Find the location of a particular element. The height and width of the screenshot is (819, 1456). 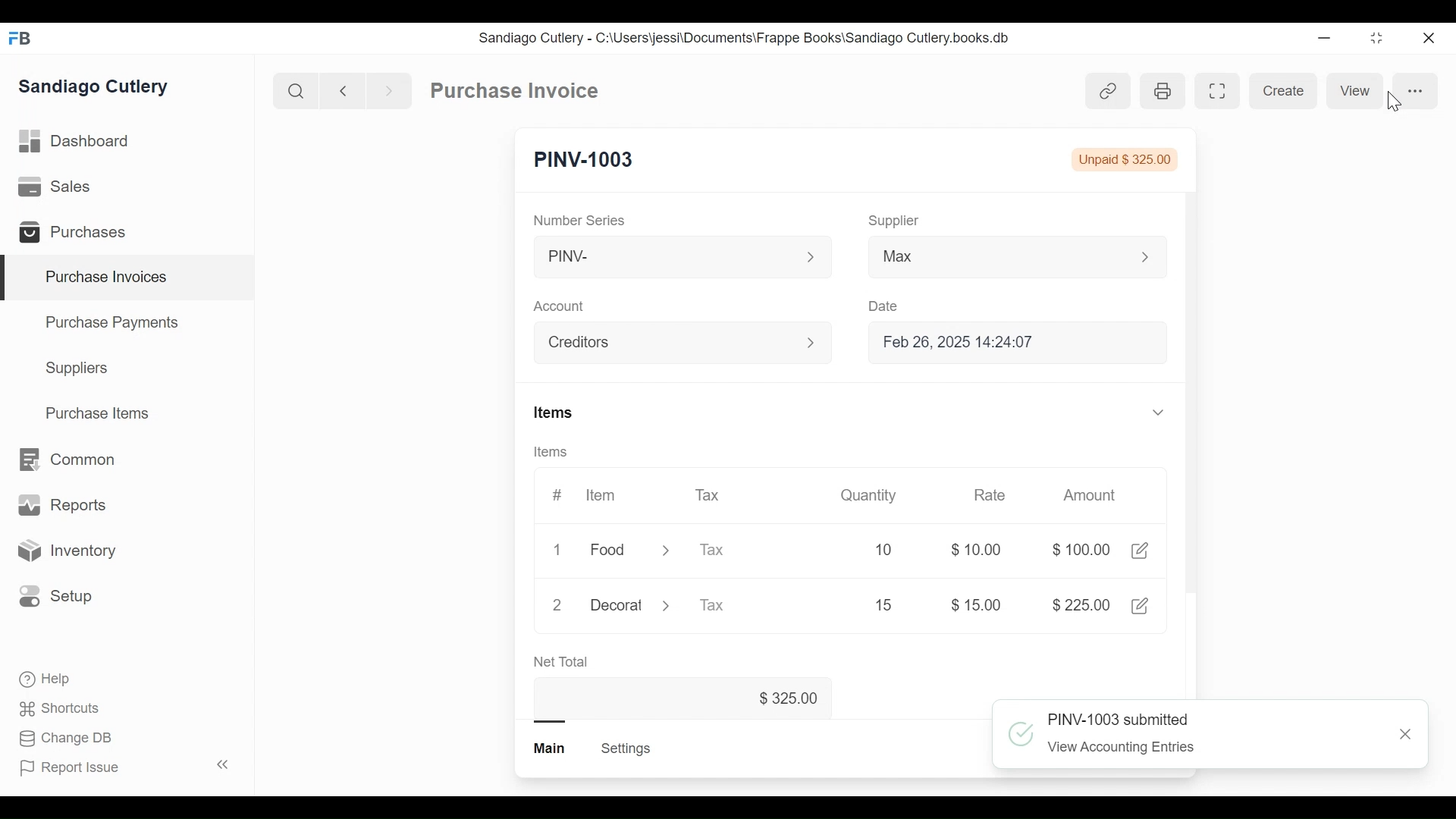

Main is located at coordinates (551, 747).